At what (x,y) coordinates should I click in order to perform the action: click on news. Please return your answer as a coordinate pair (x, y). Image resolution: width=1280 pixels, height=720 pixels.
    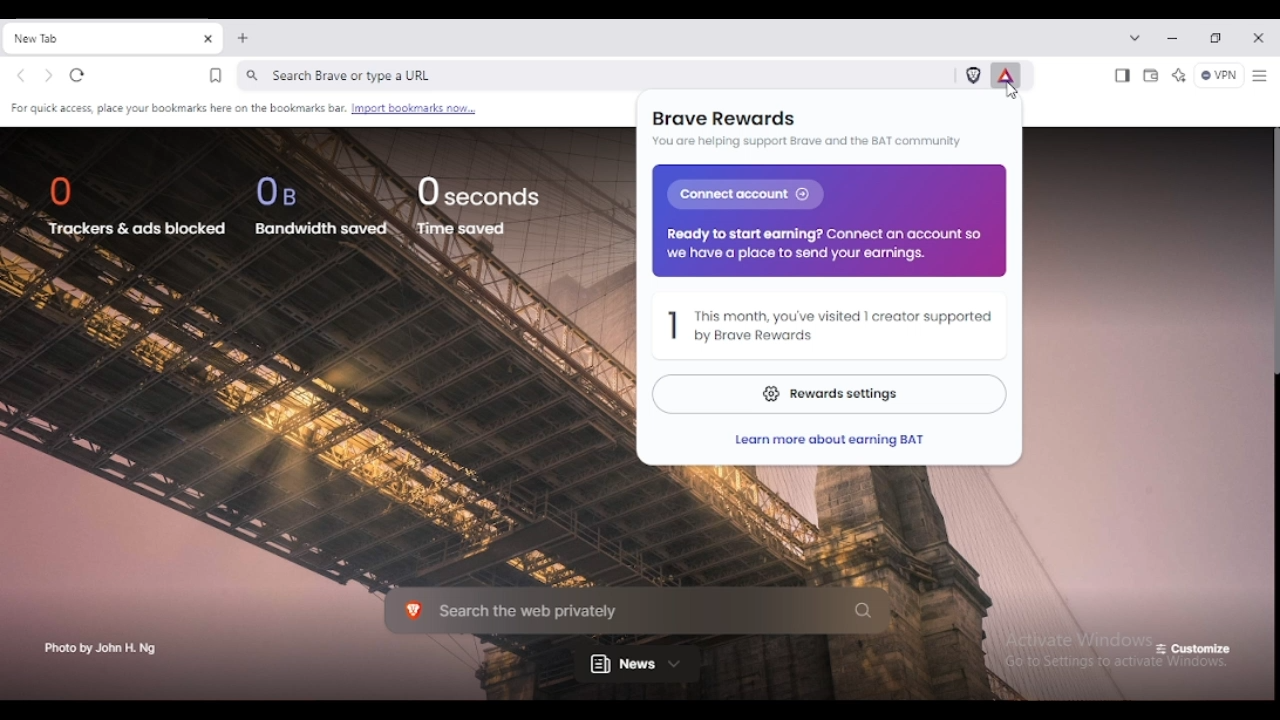
    Looking at the image, I should click on (637, 664).